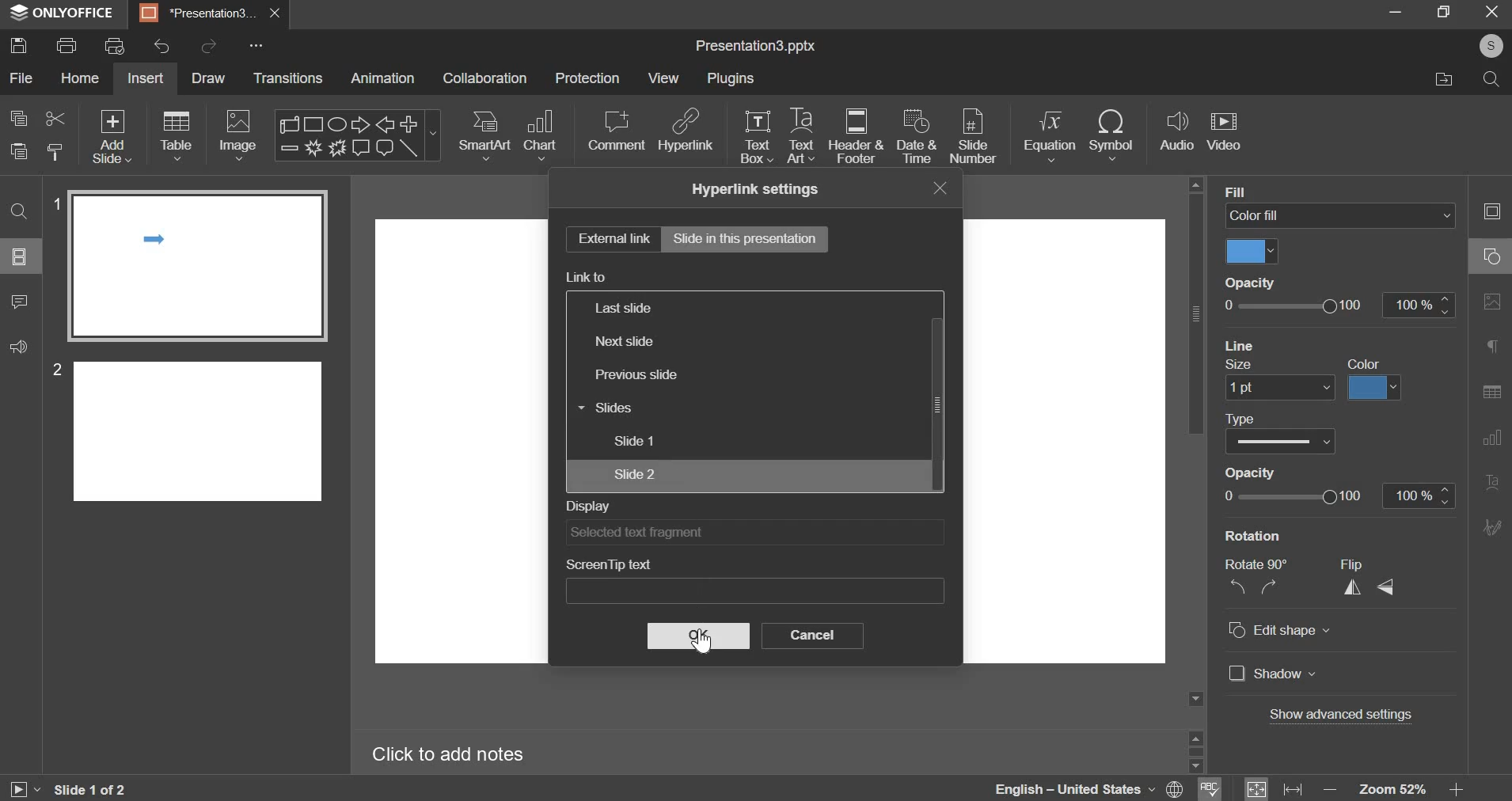  I want to click on edit shape, so click(1280, 630).